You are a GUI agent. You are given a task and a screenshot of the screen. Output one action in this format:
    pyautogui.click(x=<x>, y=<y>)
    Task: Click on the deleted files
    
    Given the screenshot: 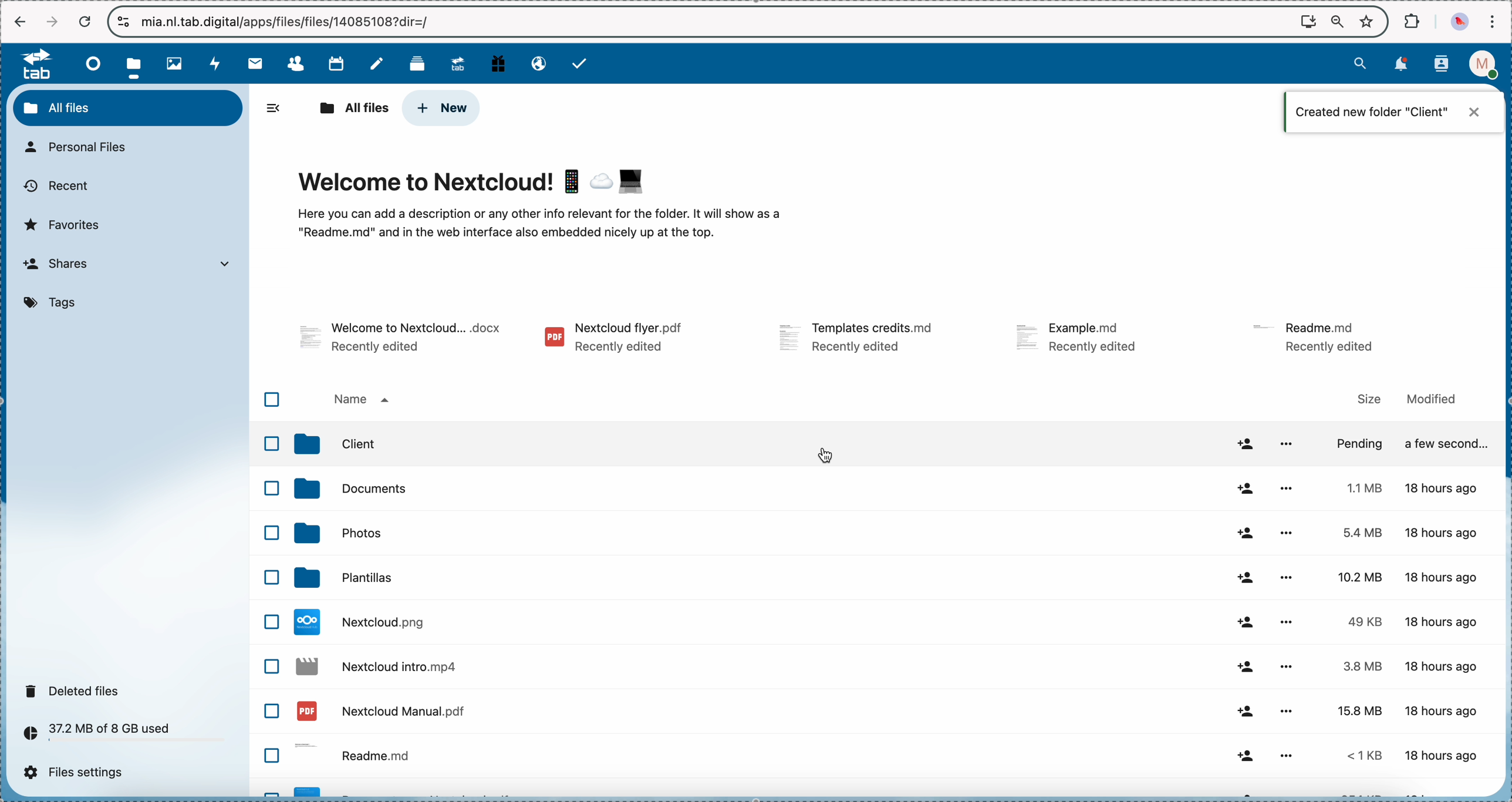 What is the action you would take?
    pyautogui.click(x=76, y=690)
    